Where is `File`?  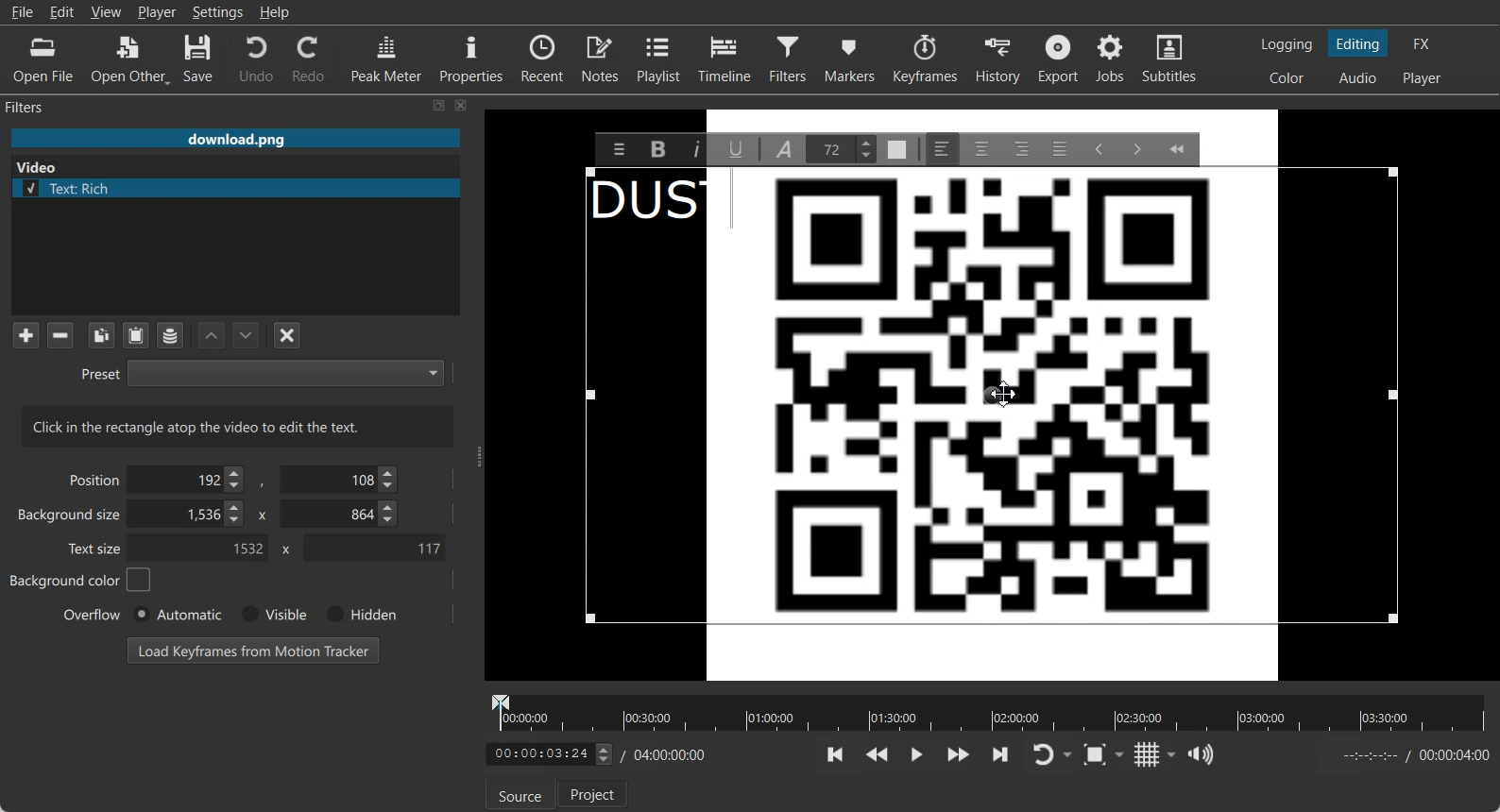
File is located at coordinates (22, 12).